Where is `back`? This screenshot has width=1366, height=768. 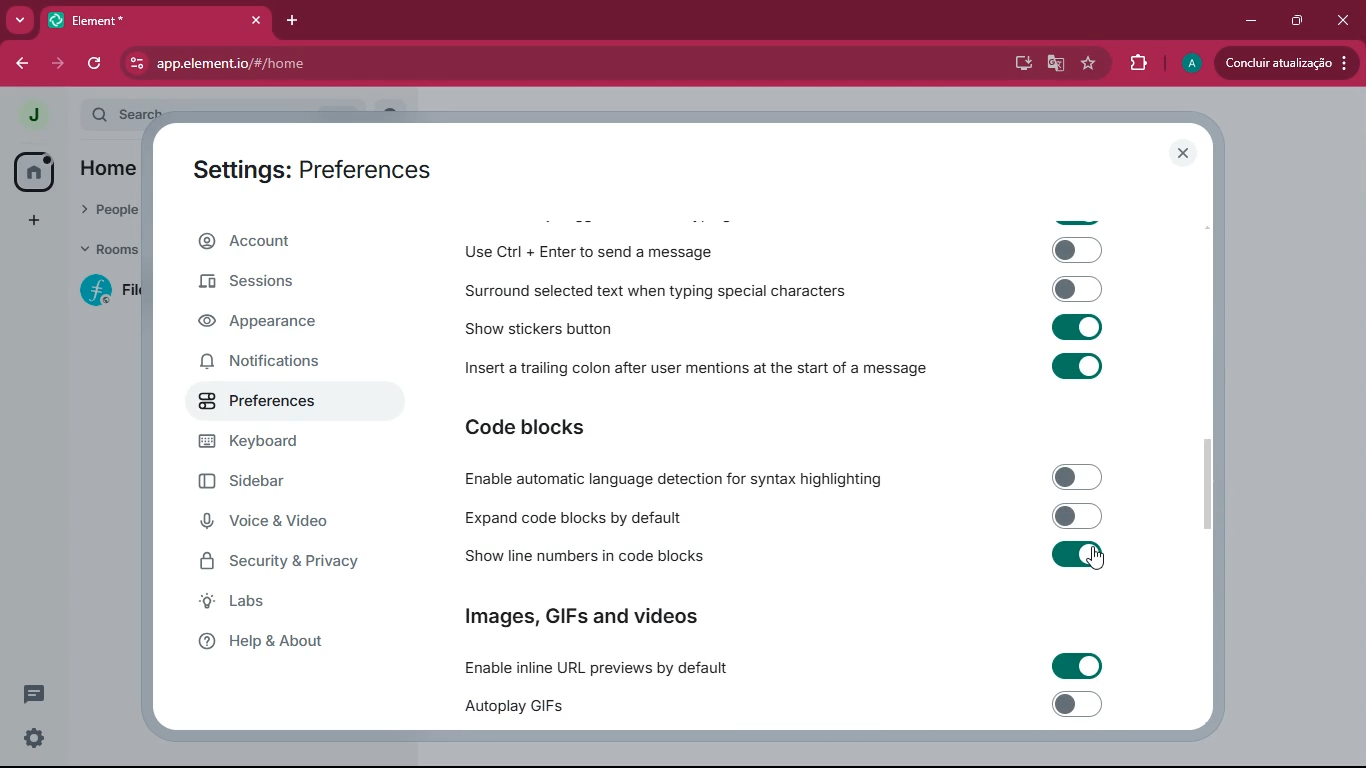
back is located at coordinates (22, 64).